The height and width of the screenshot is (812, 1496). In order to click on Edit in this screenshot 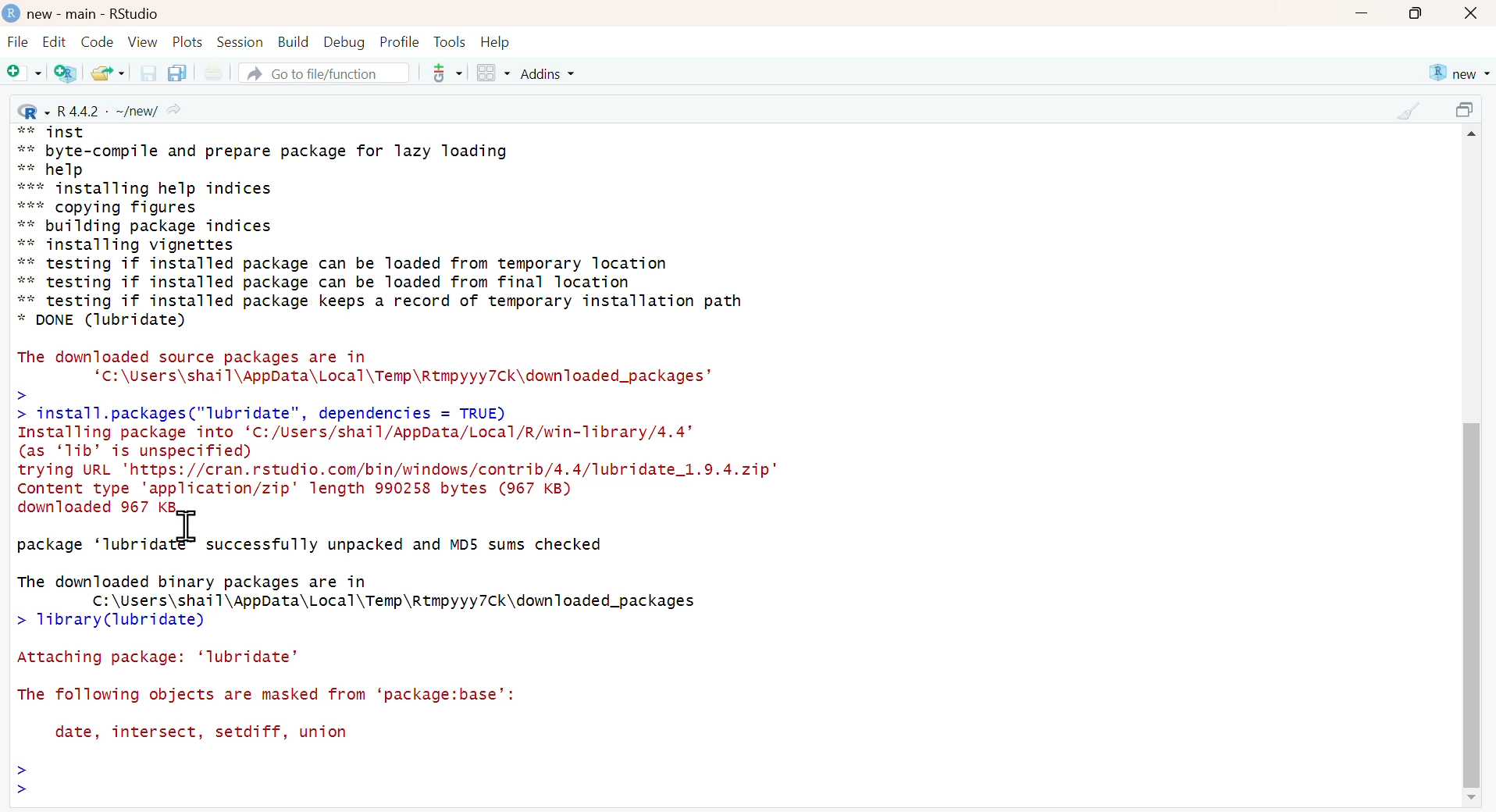, I will do `click(54, 41)`.